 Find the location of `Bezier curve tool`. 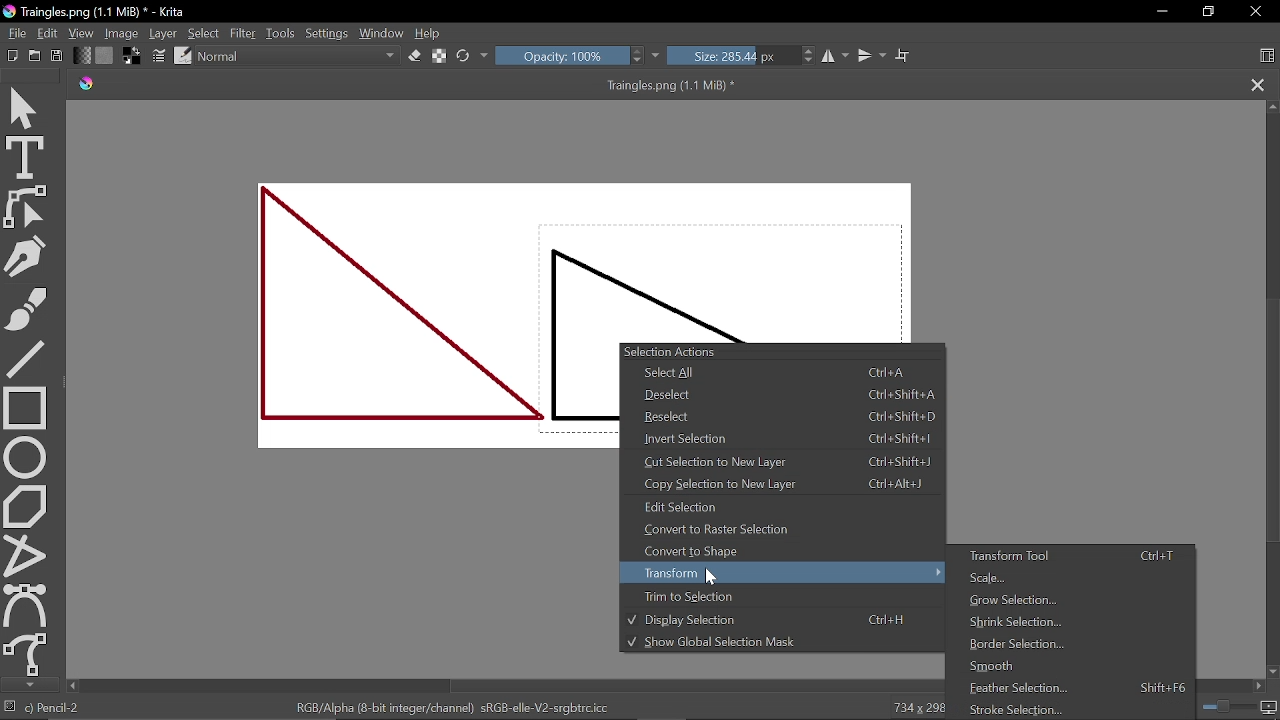

Bezier curve tool is located at coordinates (26, 604).